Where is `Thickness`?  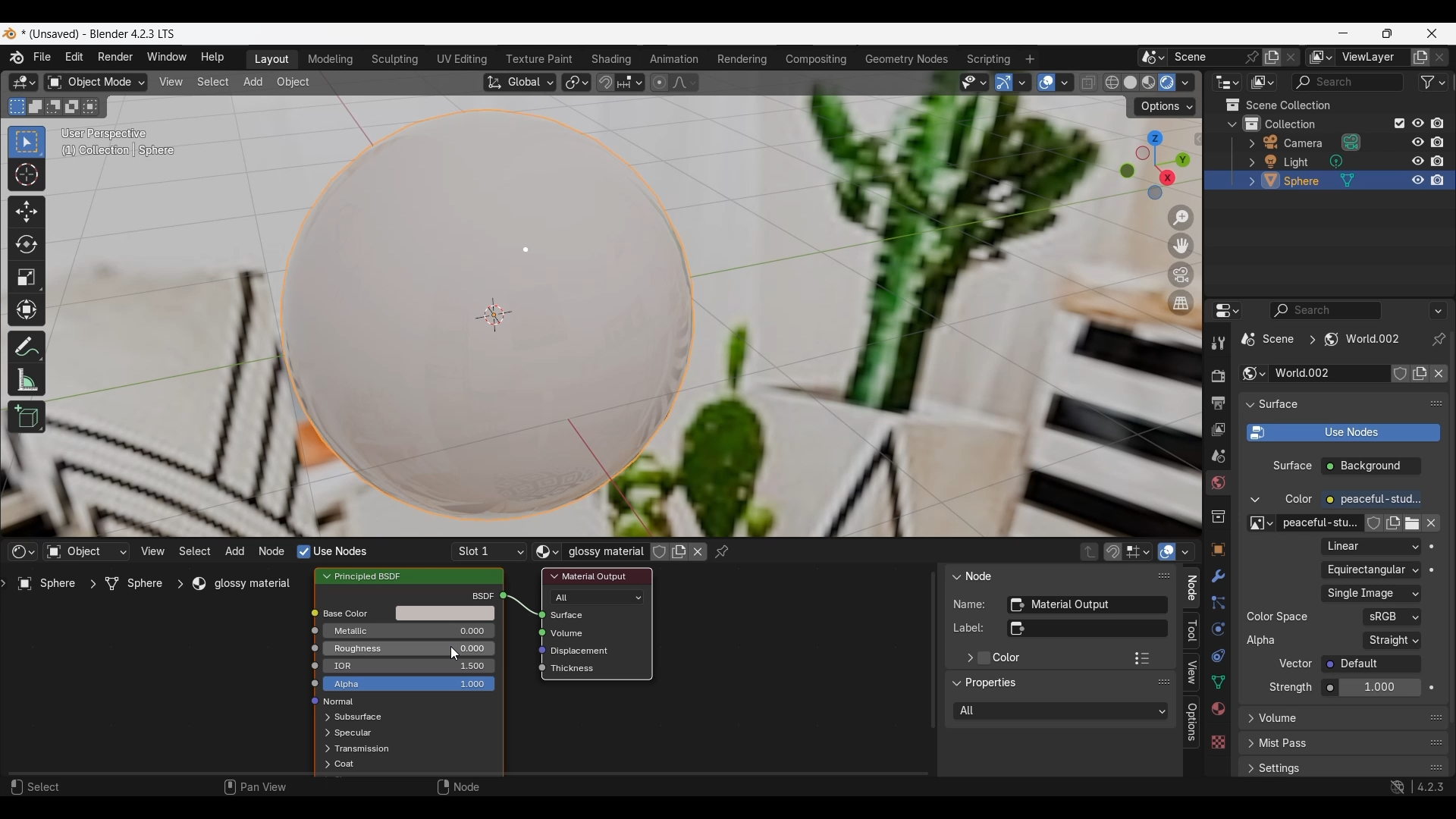 Thickness is located at coordinates (576, 669).